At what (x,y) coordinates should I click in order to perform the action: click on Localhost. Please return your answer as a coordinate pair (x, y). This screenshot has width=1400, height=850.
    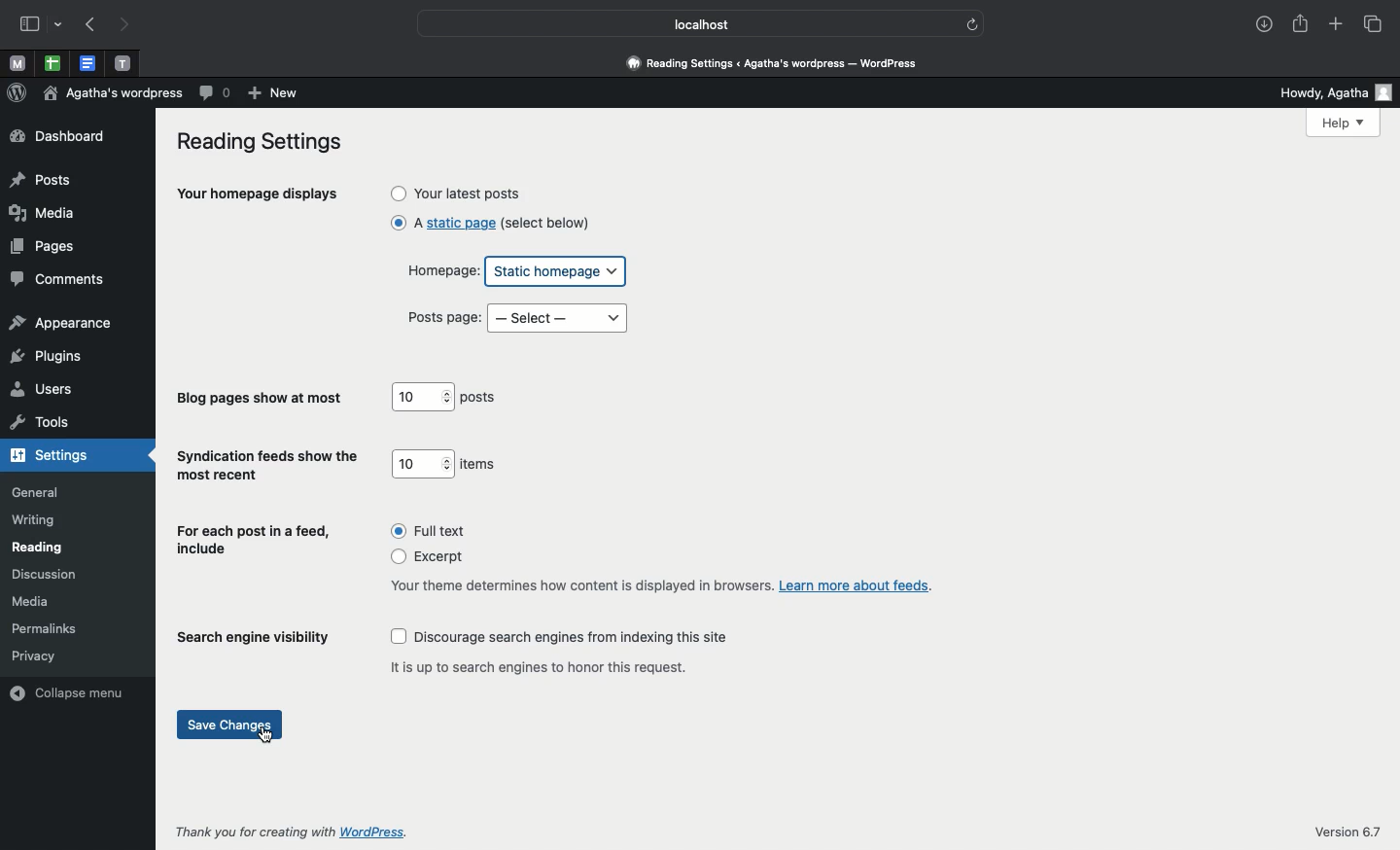
    Looking at the image, I should click on (691, 24).